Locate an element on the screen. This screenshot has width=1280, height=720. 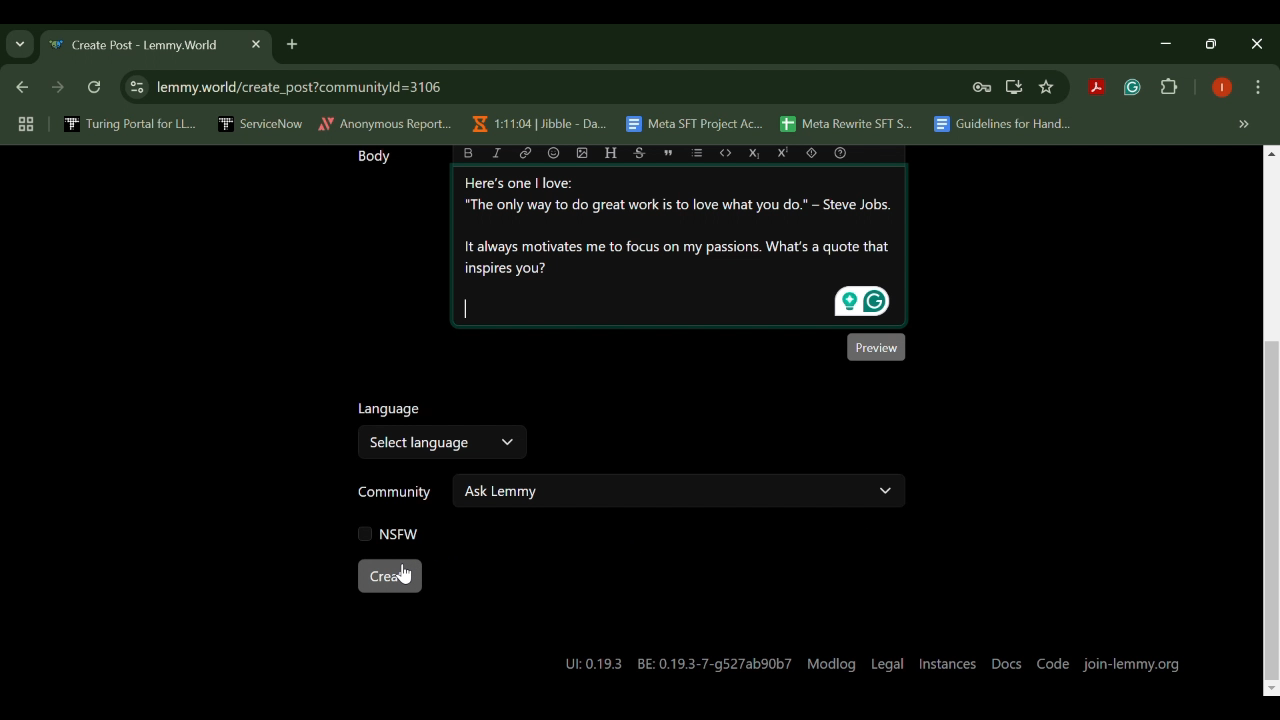
upload image is located at coordinates (581, 153).